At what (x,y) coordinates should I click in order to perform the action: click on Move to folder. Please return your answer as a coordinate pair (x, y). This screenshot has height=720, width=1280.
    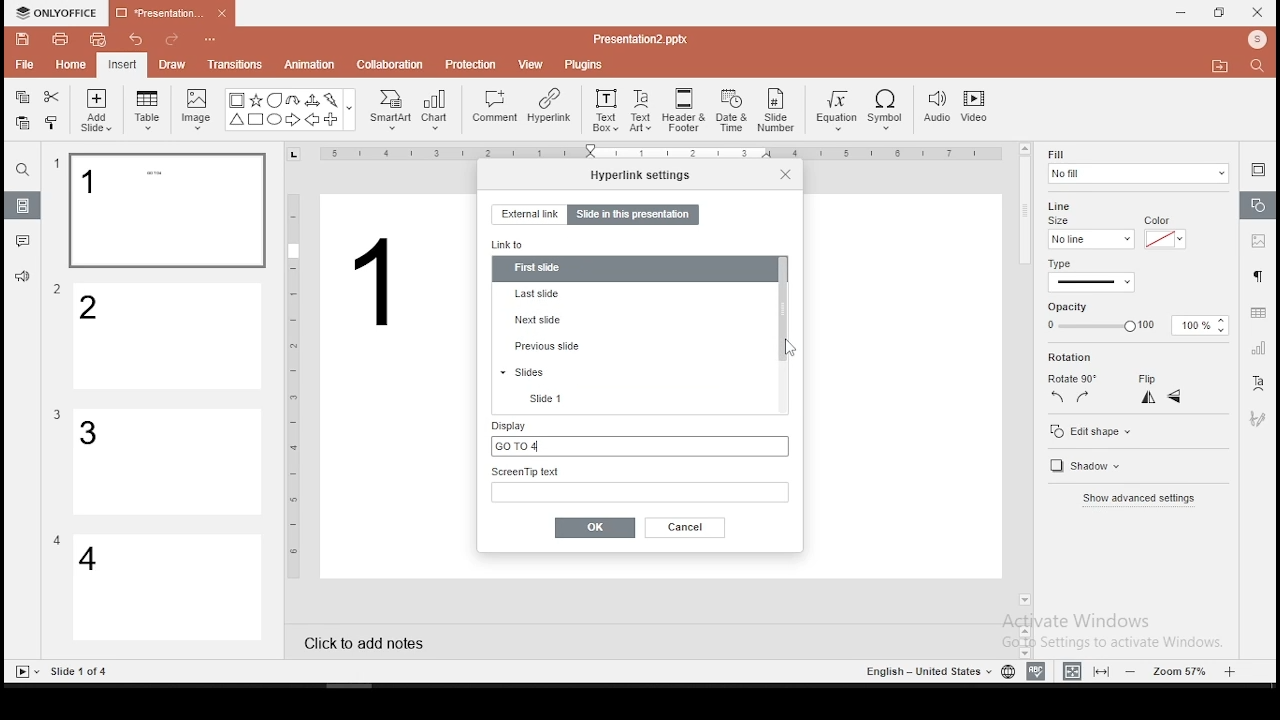
    Looking at the image, I should click on (1223, 68).